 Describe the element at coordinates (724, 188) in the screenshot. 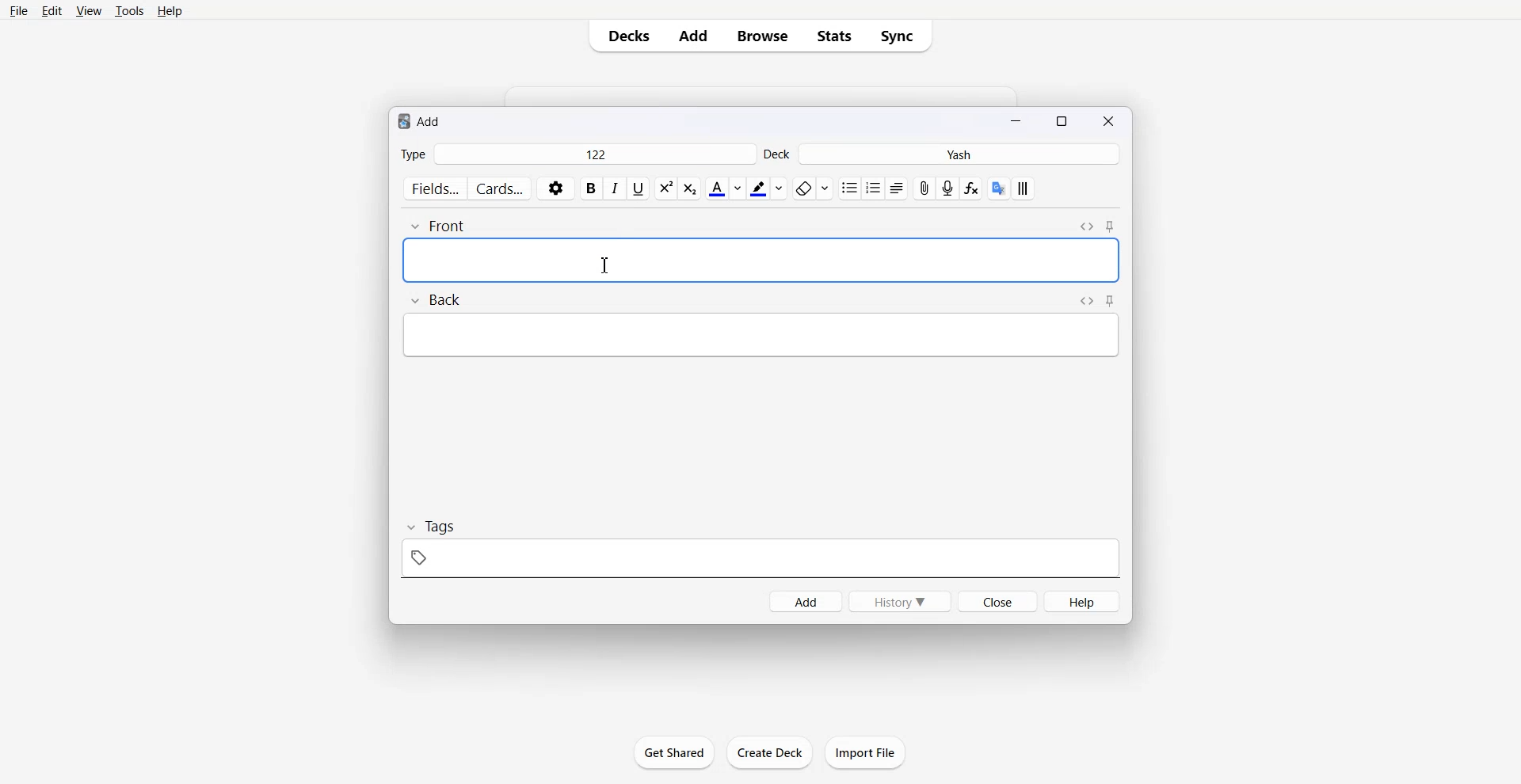

I see `Text color` at that location.